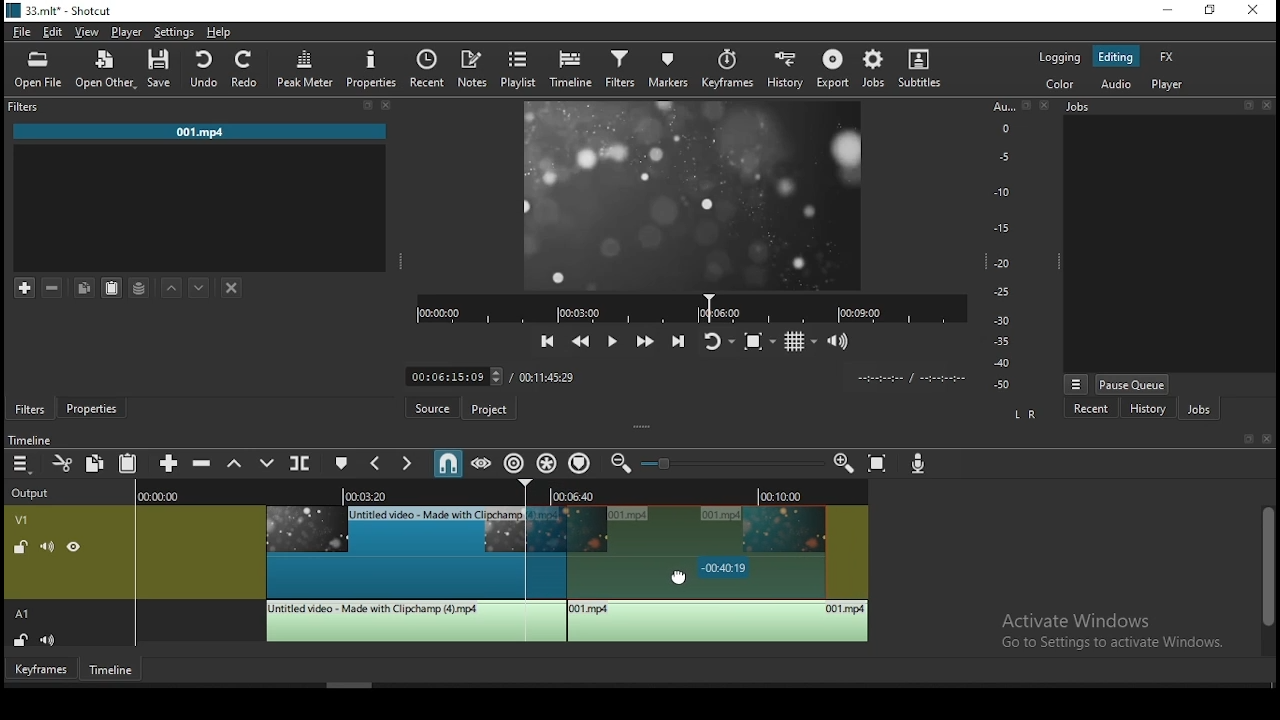 This screenshot has height=720, width=1280. I want to click on skip to next point, so click(678, 342).